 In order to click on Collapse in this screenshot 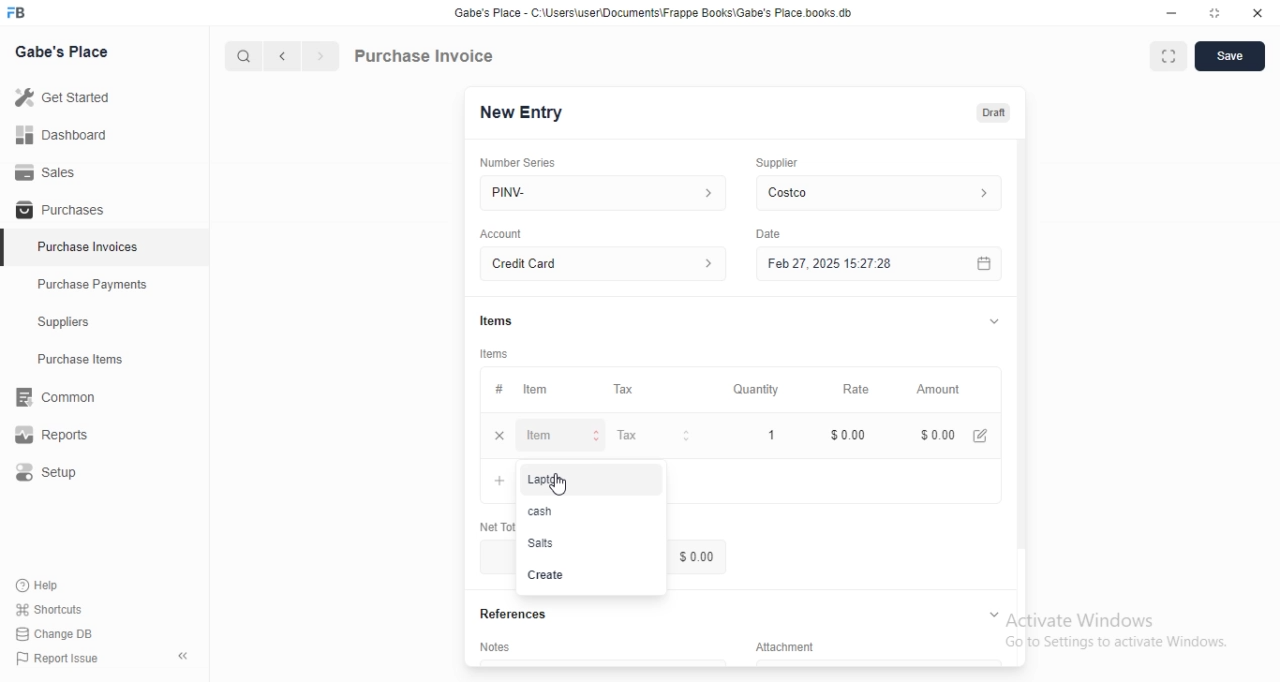, I will do `click(994, 321)`.